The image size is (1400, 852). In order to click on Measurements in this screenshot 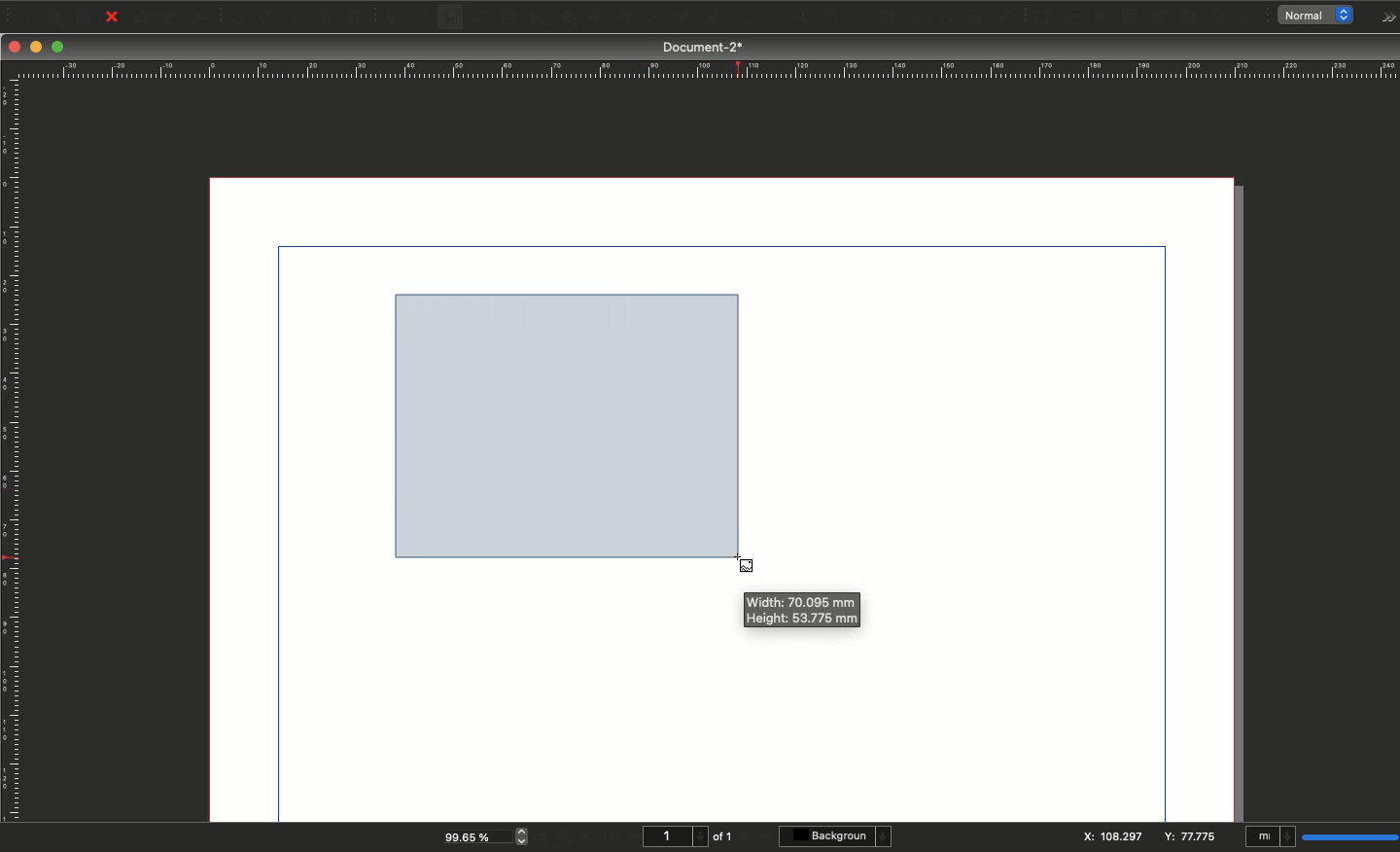, I will do `click(941, 18)`.